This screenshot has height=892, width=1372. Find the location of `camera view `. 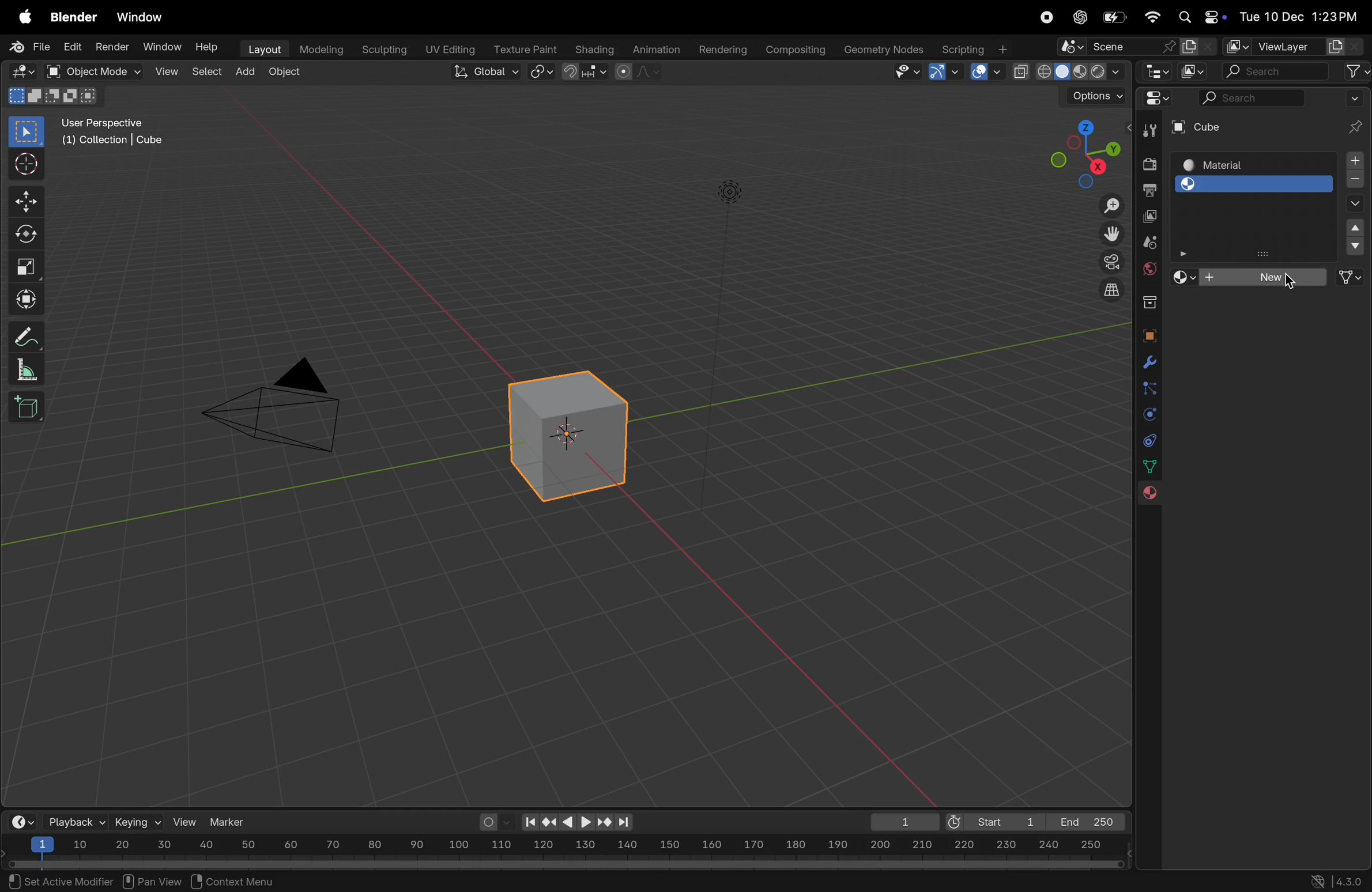

camera view  is located at coordinates (281, 402).